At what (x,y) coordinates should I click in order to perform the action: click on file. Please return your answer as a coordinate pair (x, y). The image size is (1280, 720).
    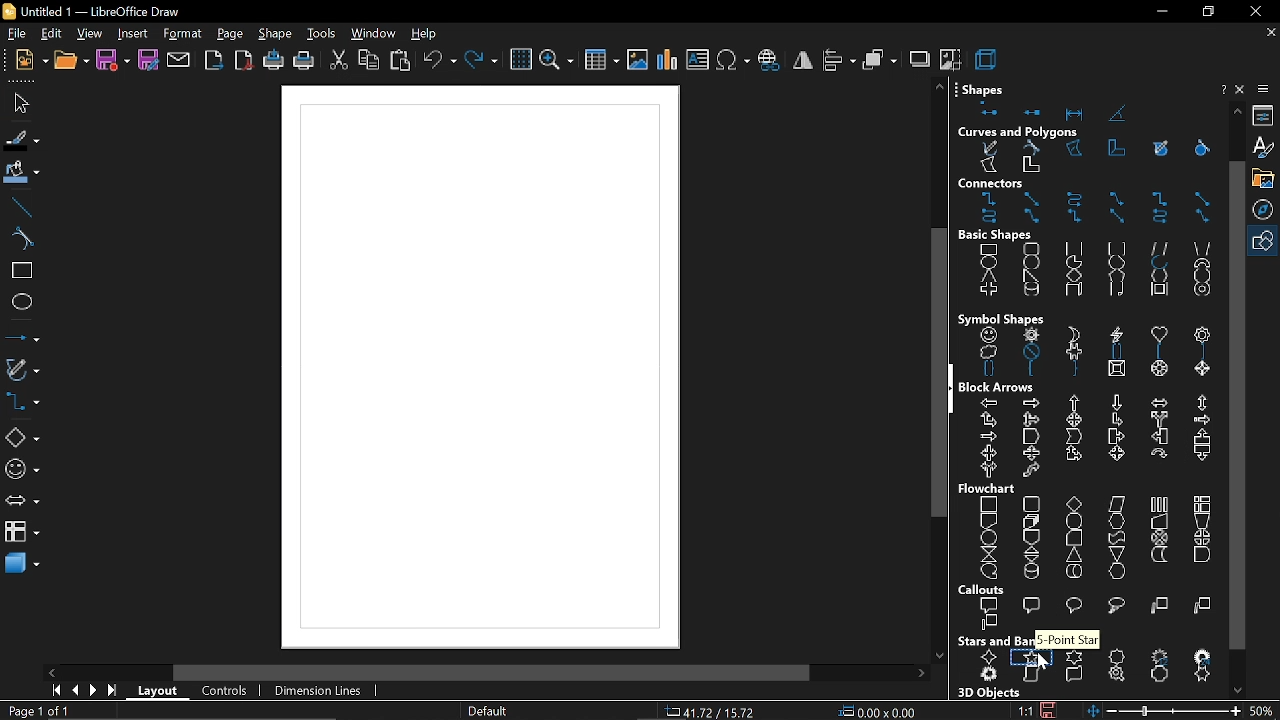
    Looking at the image, I should click on (24, 102).